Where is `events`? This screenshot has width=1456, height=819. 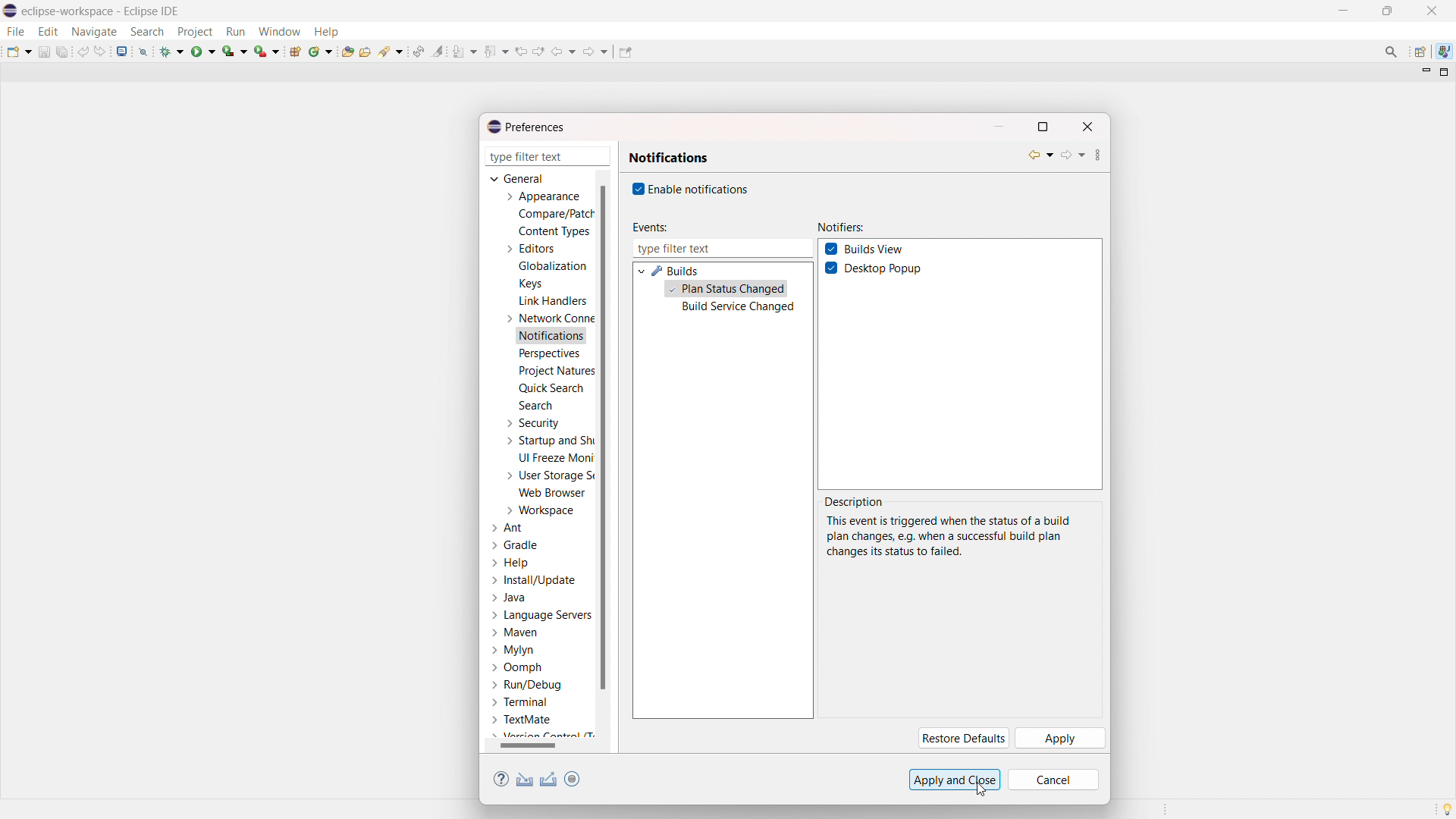 events is located at coordinates (648, 227).